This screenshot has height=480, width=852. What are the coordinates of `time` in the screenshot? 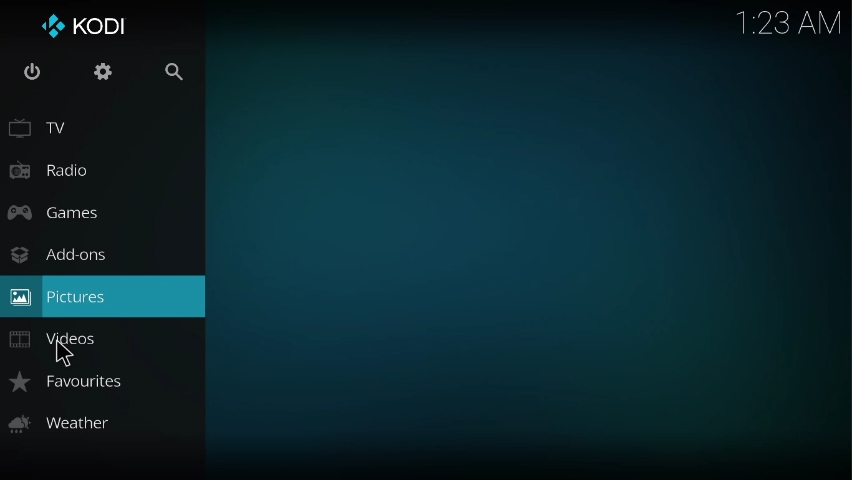 It's located at (792, 20).